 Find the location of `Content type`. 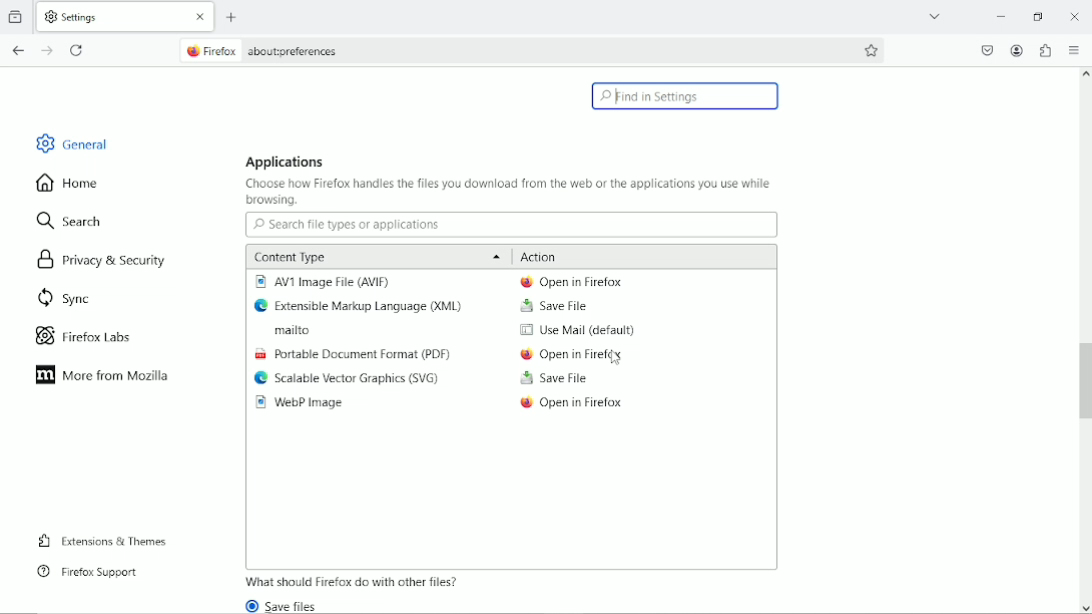

Content type is located at coordinates (374, 256).